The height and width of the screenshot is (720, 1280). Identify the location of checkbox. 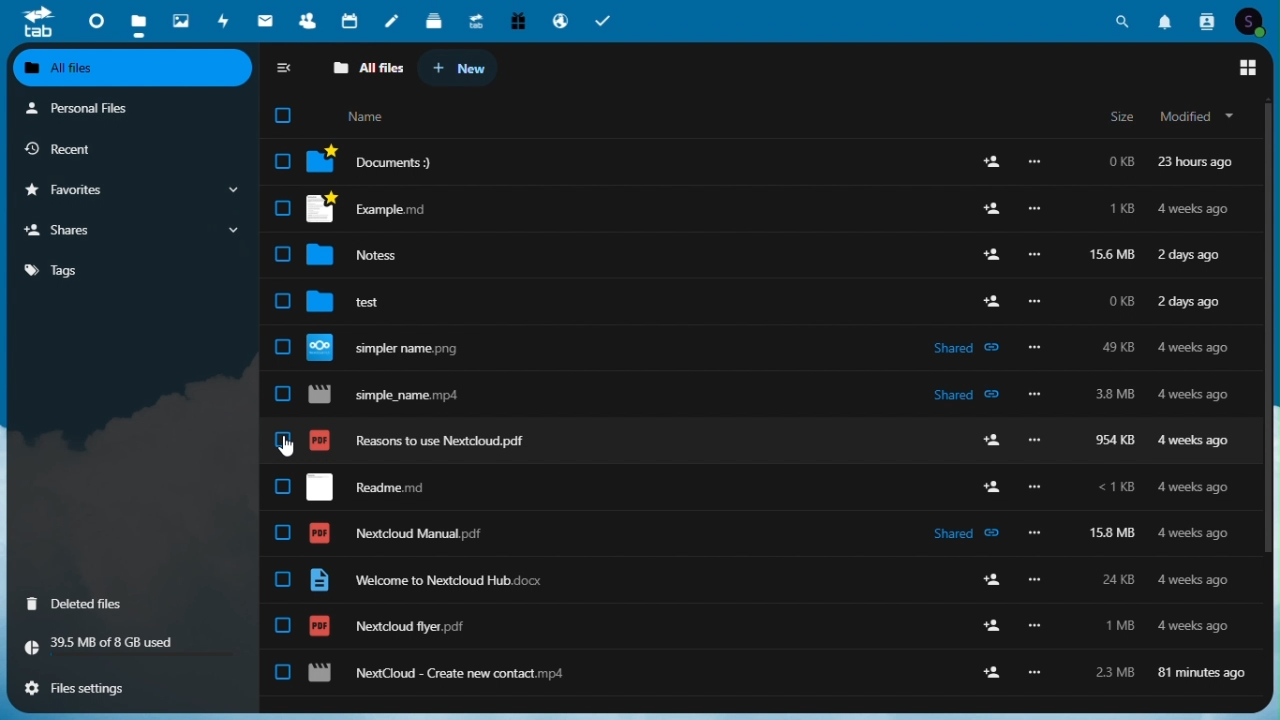
(283, 253).